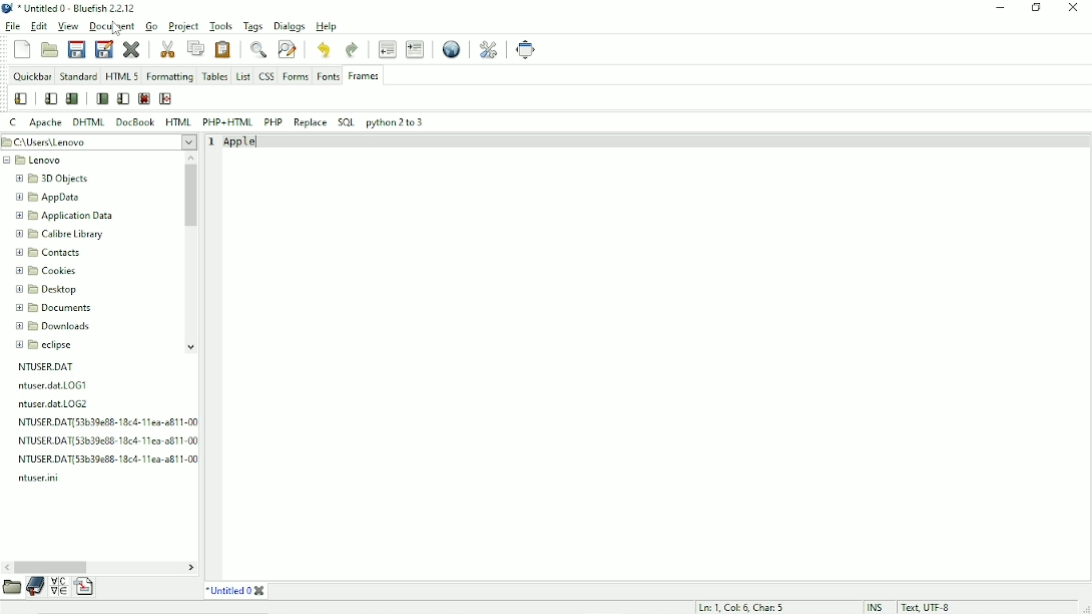  Describe the element at coordinates (54, 325) in the screenshot. I see `Downloads` at that location.